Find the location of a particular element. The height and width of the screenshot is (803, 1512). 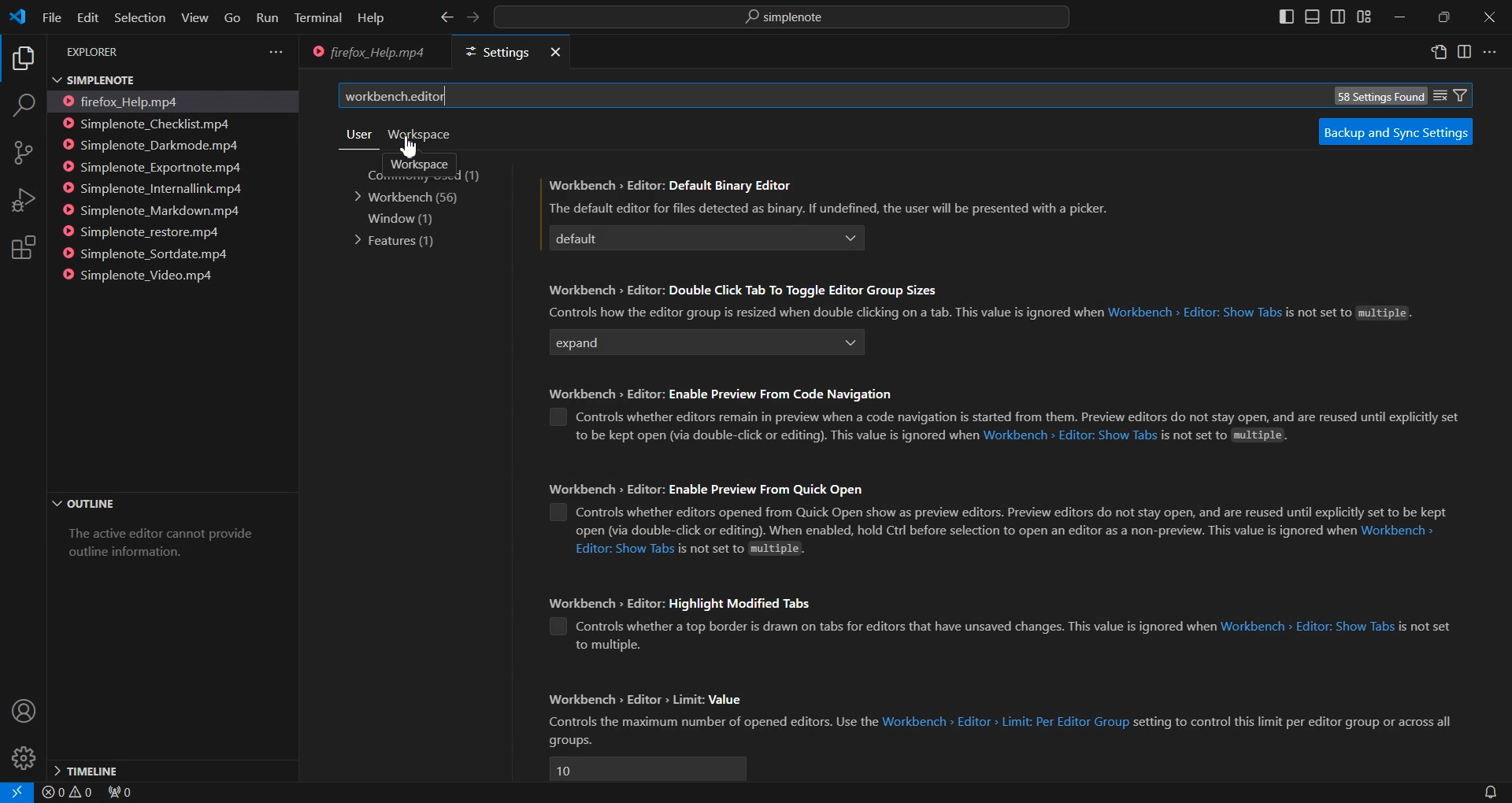

Enable button for preview code navigation is located at coordinates (560, 416).